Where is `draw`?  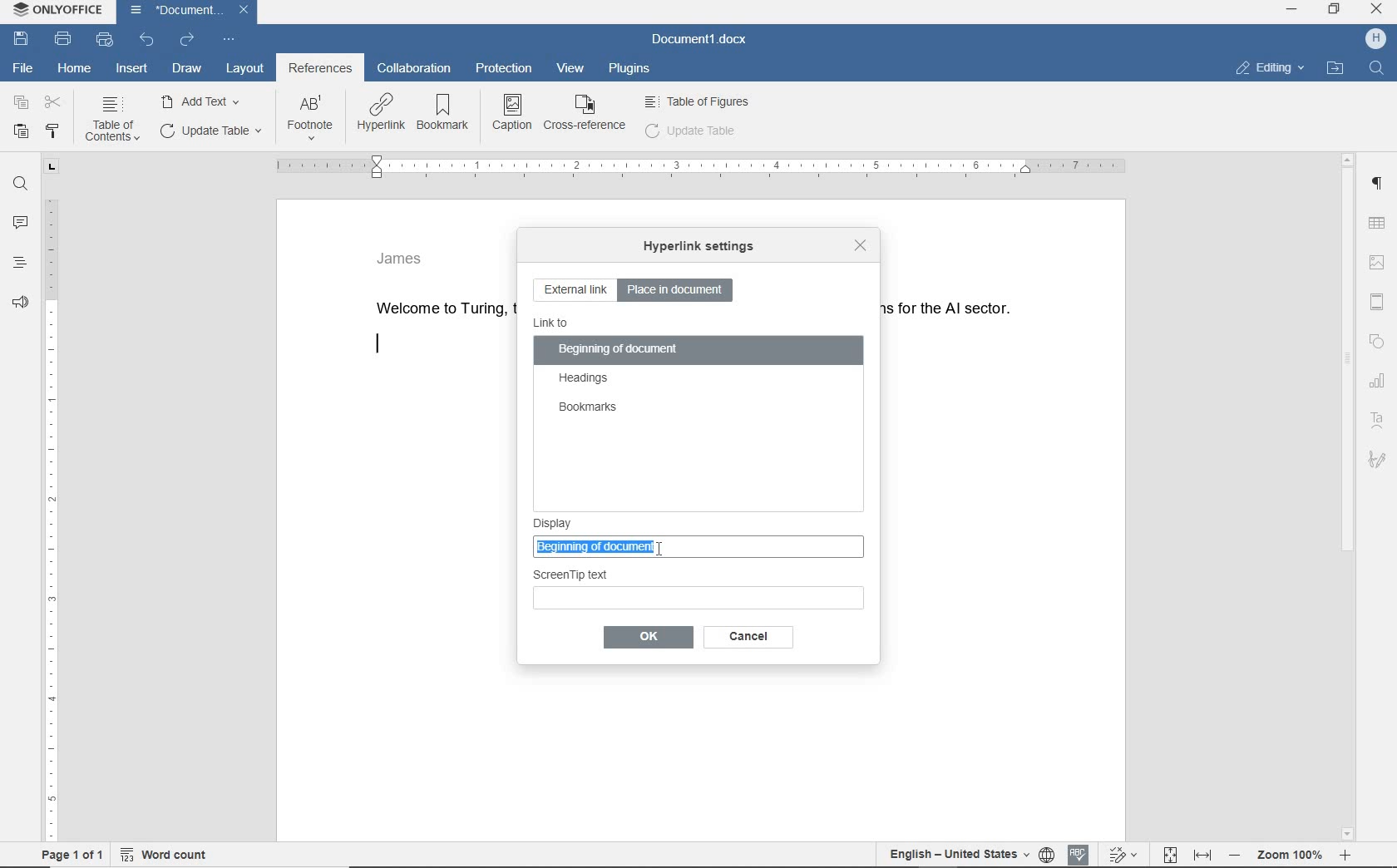
draw is located at coordinates (188, 69).